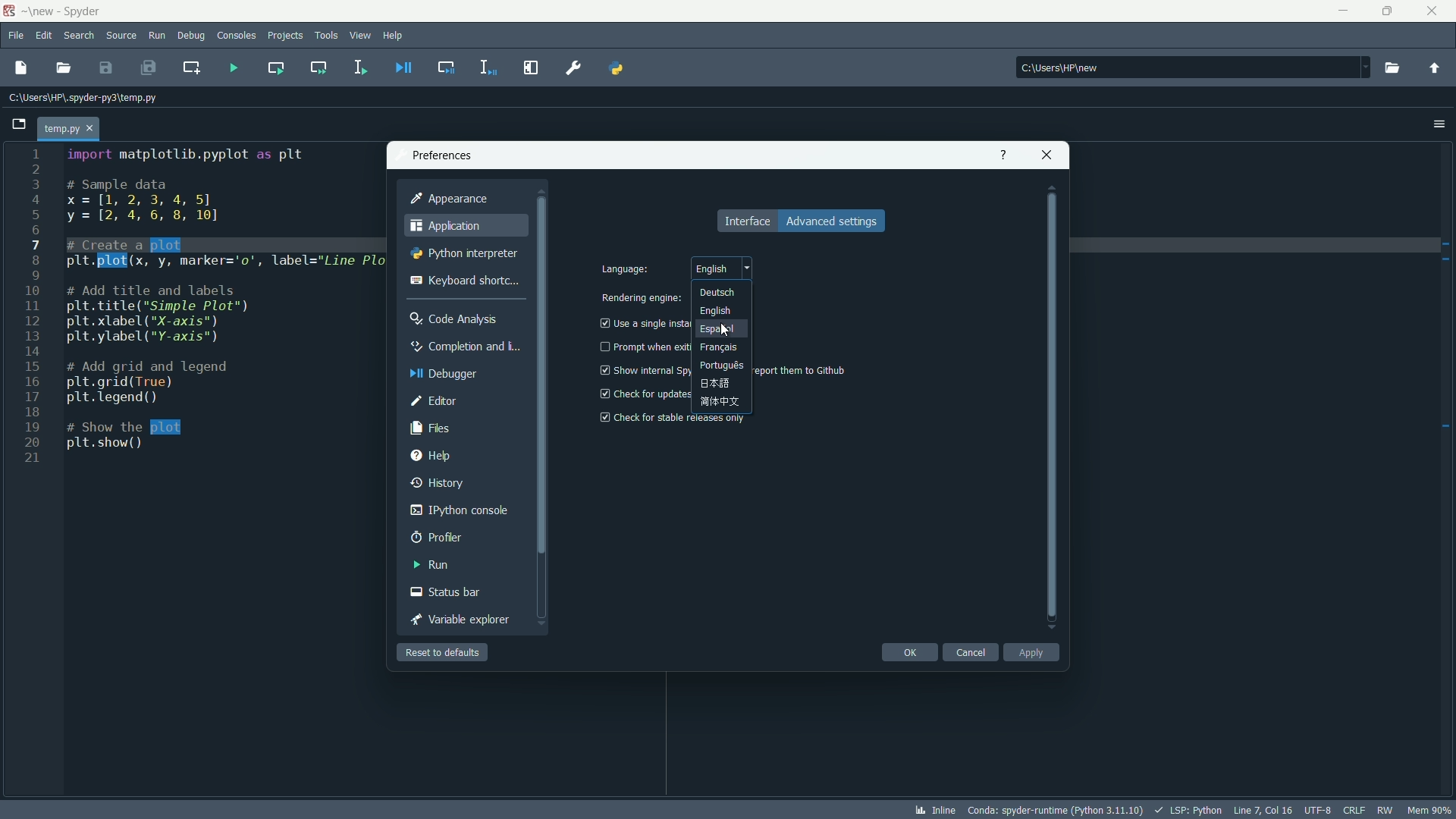  What do you see at coordinates (1429, 809) in the screenshot?
I see `memory usage` at bounding box center [1429, 809].